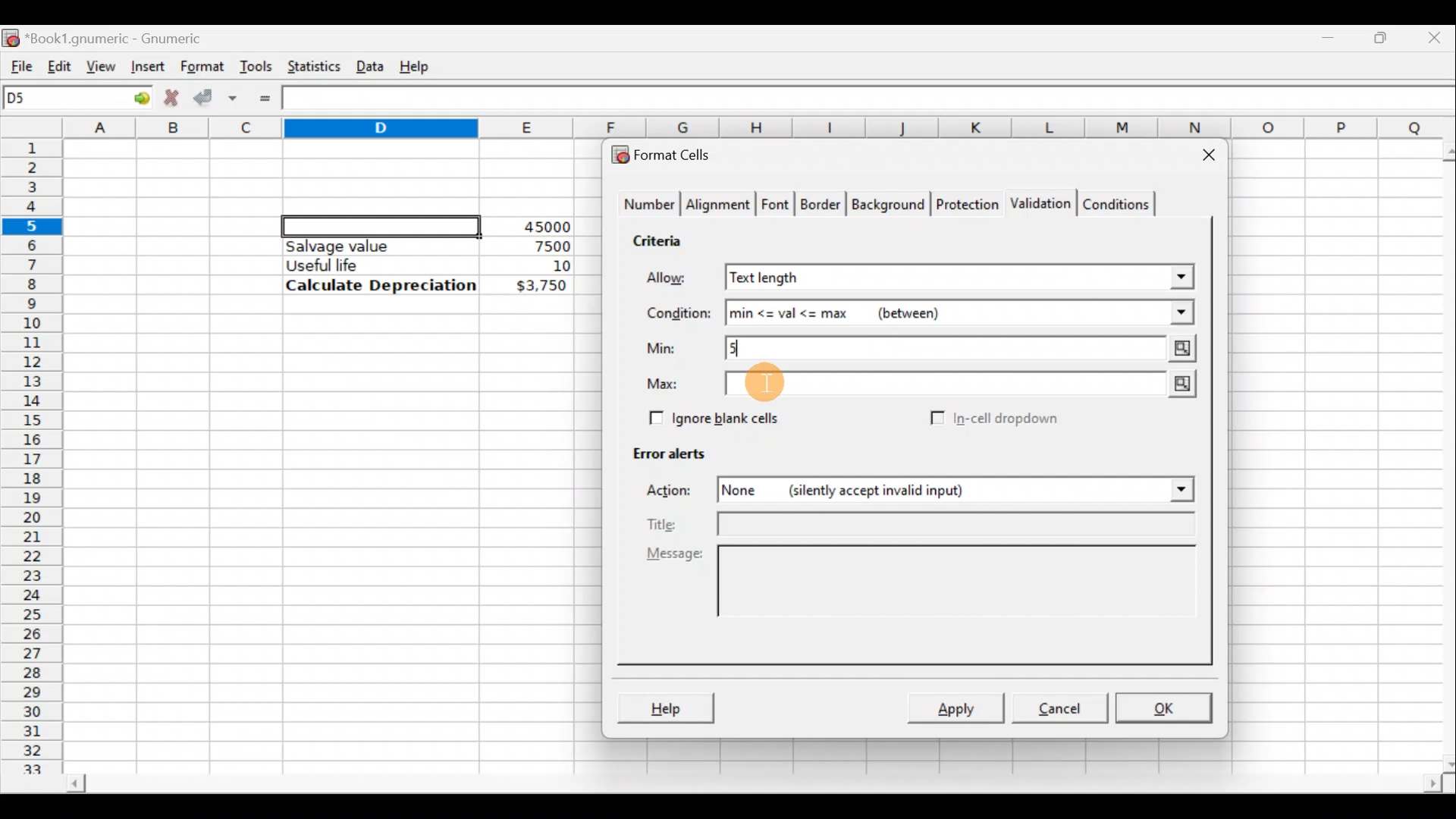  Describe the element at coordinates (265, 99) in the screenshot. I see `Enter formula` at that location.